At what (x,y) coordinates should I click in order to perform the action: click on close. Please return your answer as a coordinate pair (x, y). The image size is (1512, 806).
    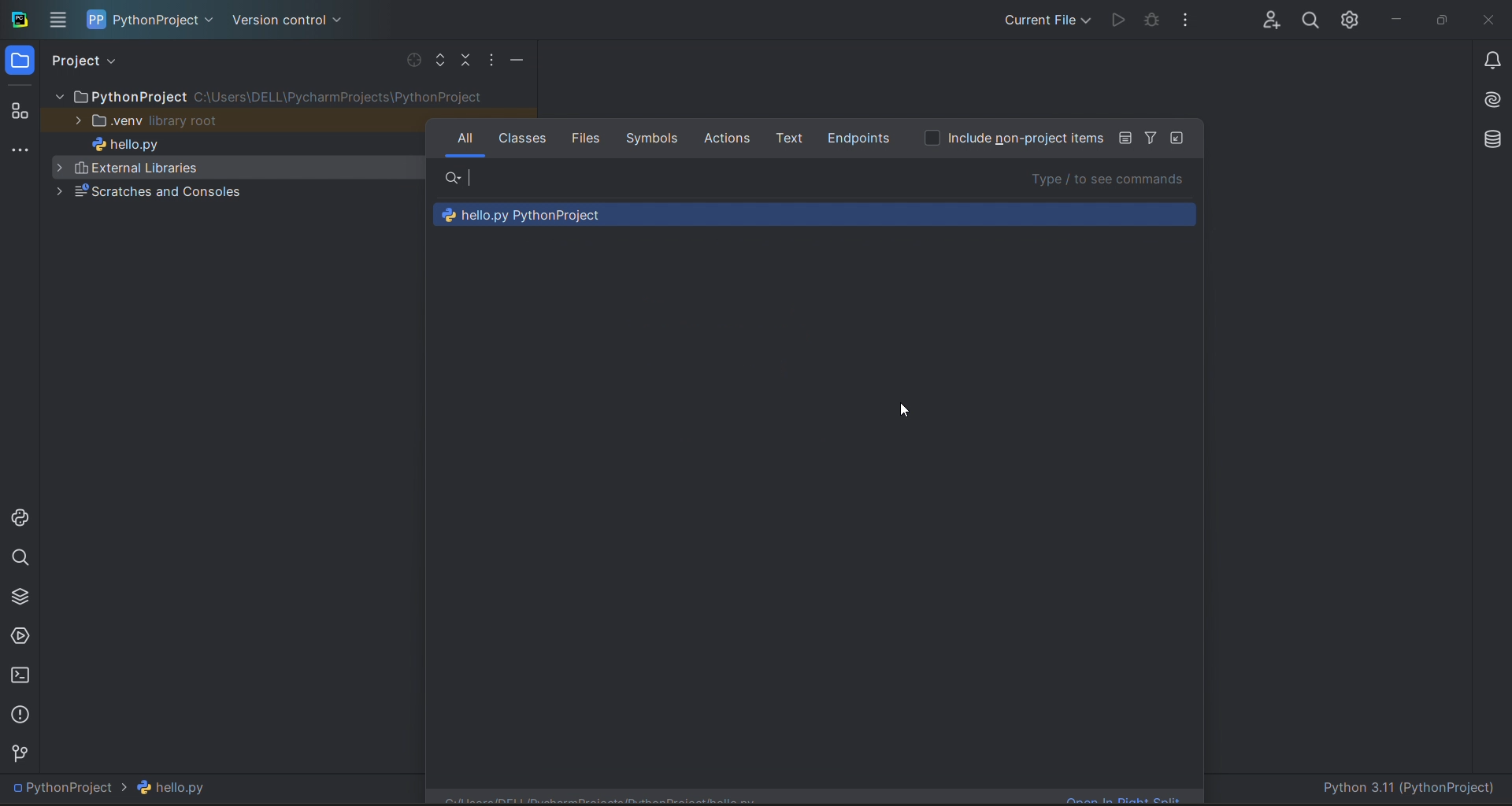
    Looking at the image, I should click on (1487, 16).